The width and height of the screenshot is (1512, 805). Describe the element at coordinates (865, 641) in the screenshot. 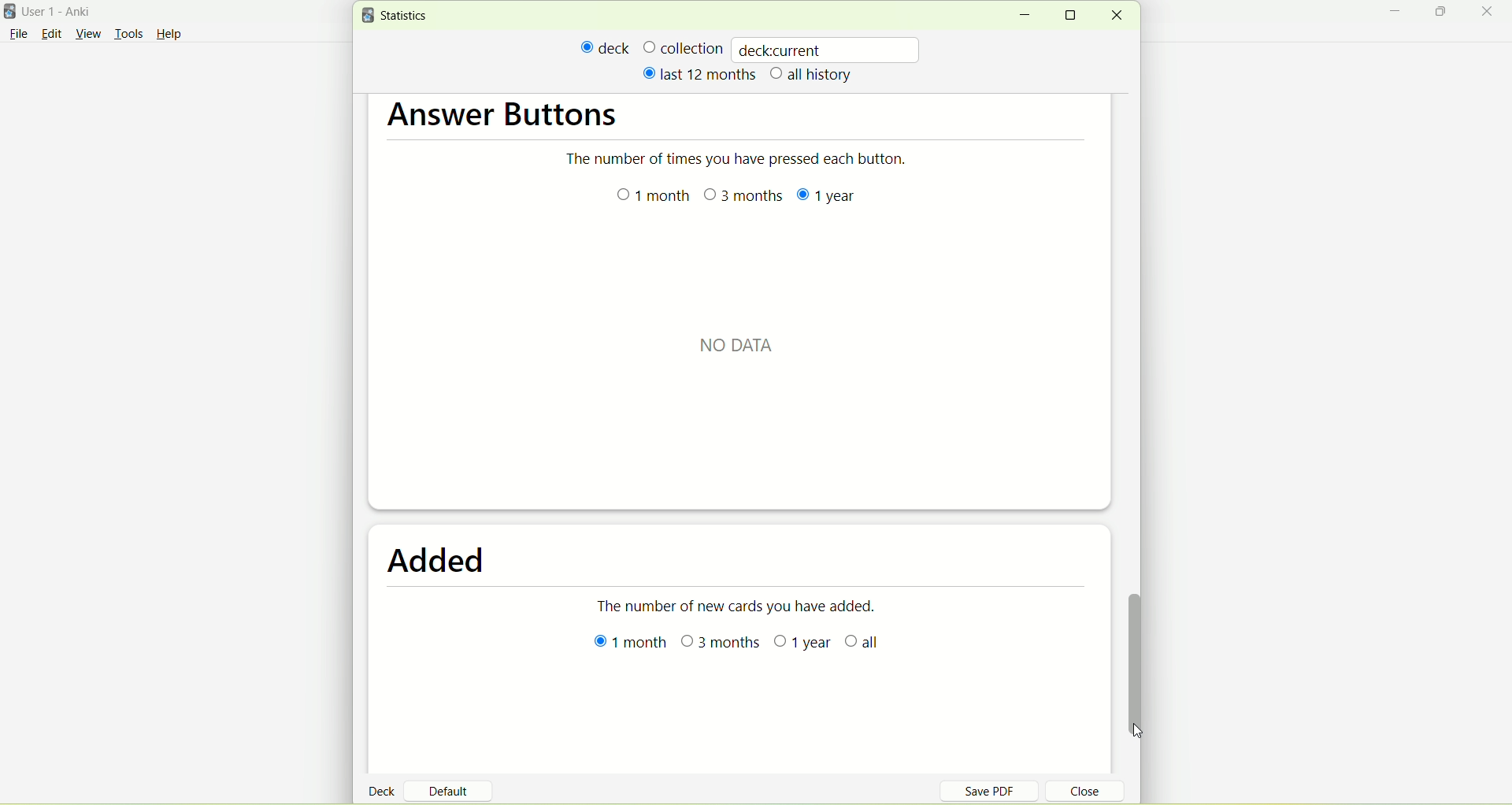

I see `all` at that location.